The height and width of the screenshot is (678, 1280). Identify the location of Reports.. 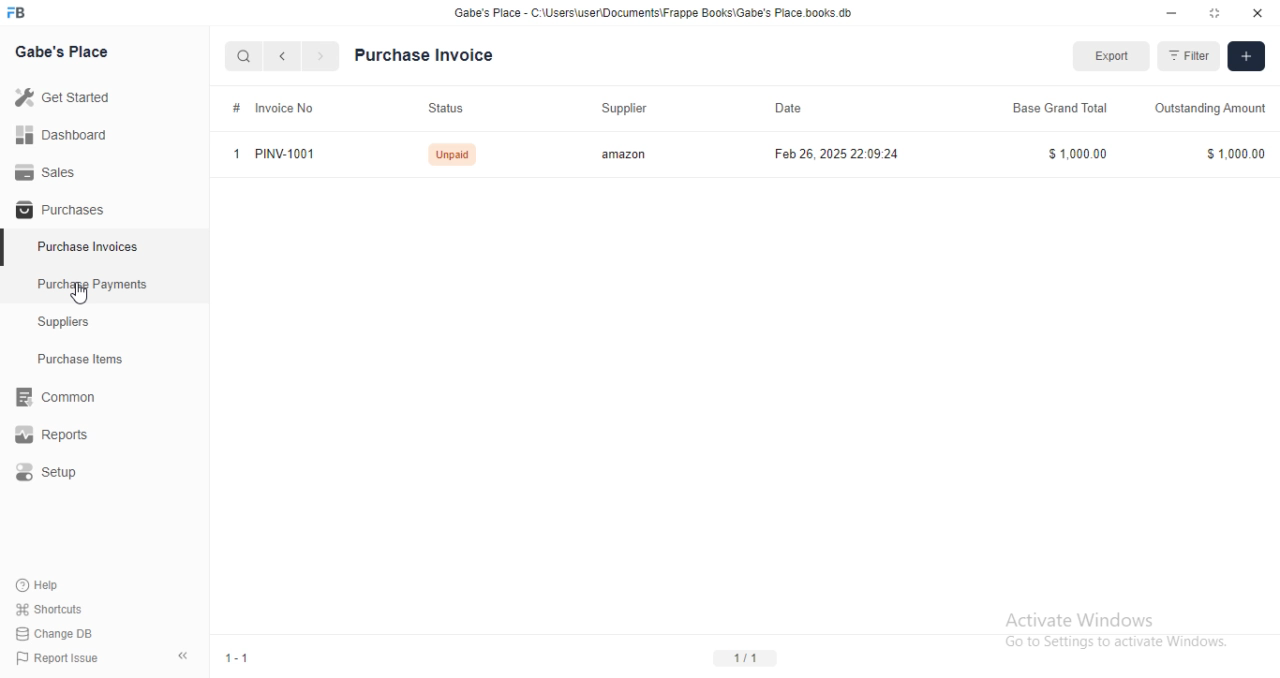
(55, 435).